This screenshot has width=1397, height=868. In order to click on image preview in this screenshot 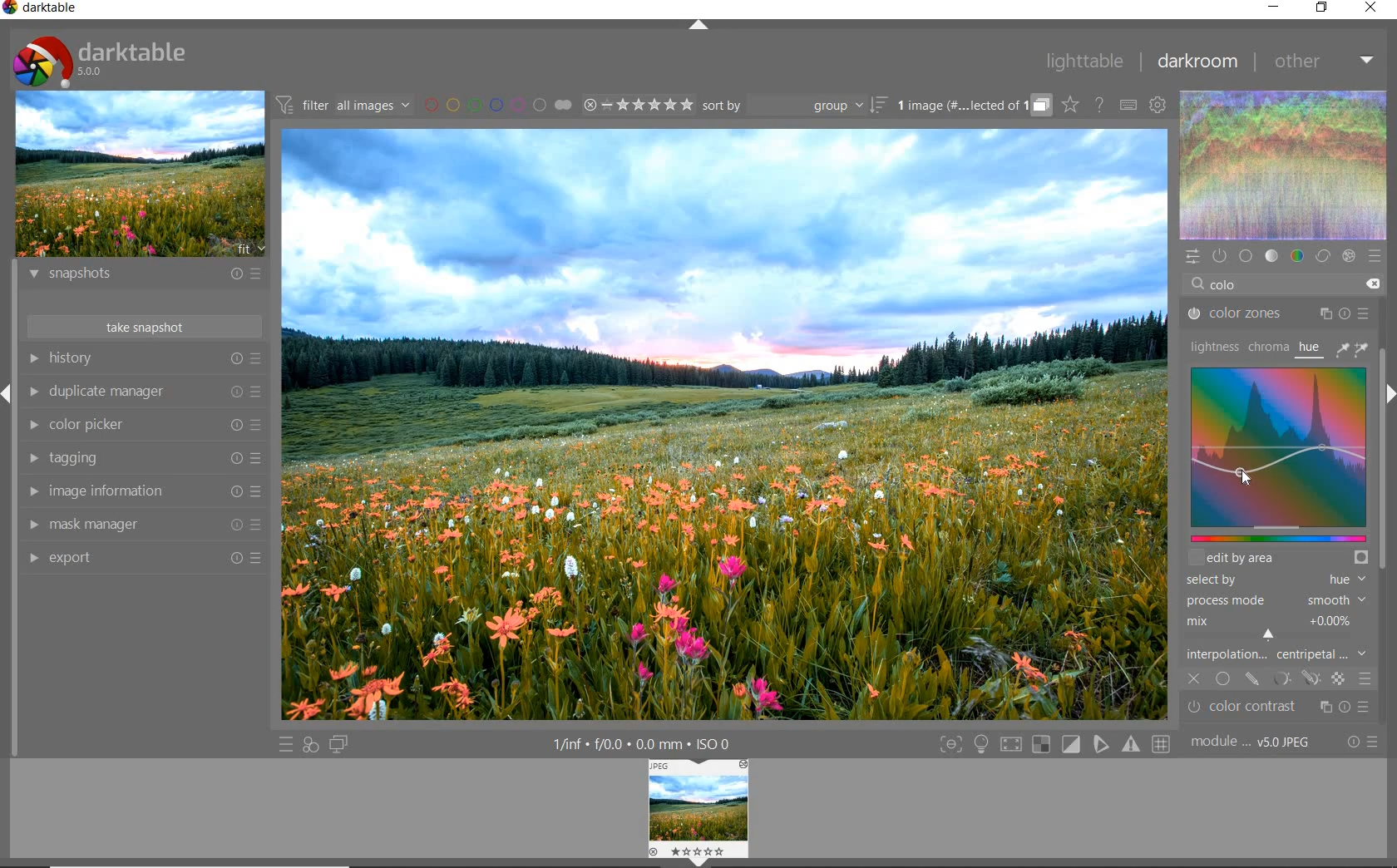, I will do `click(140, 176)`.